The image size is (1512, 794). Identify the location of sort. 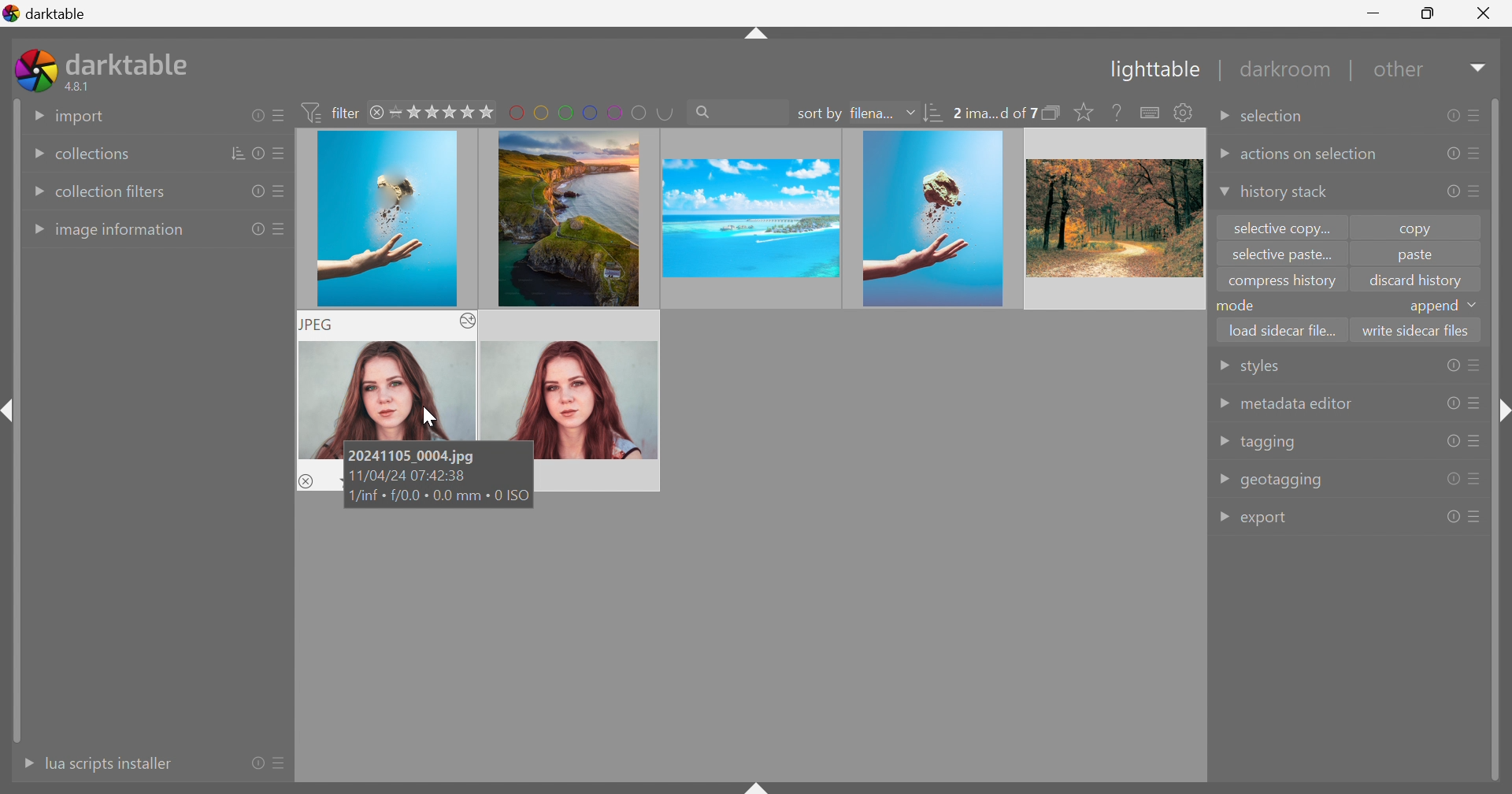
(935, 115).